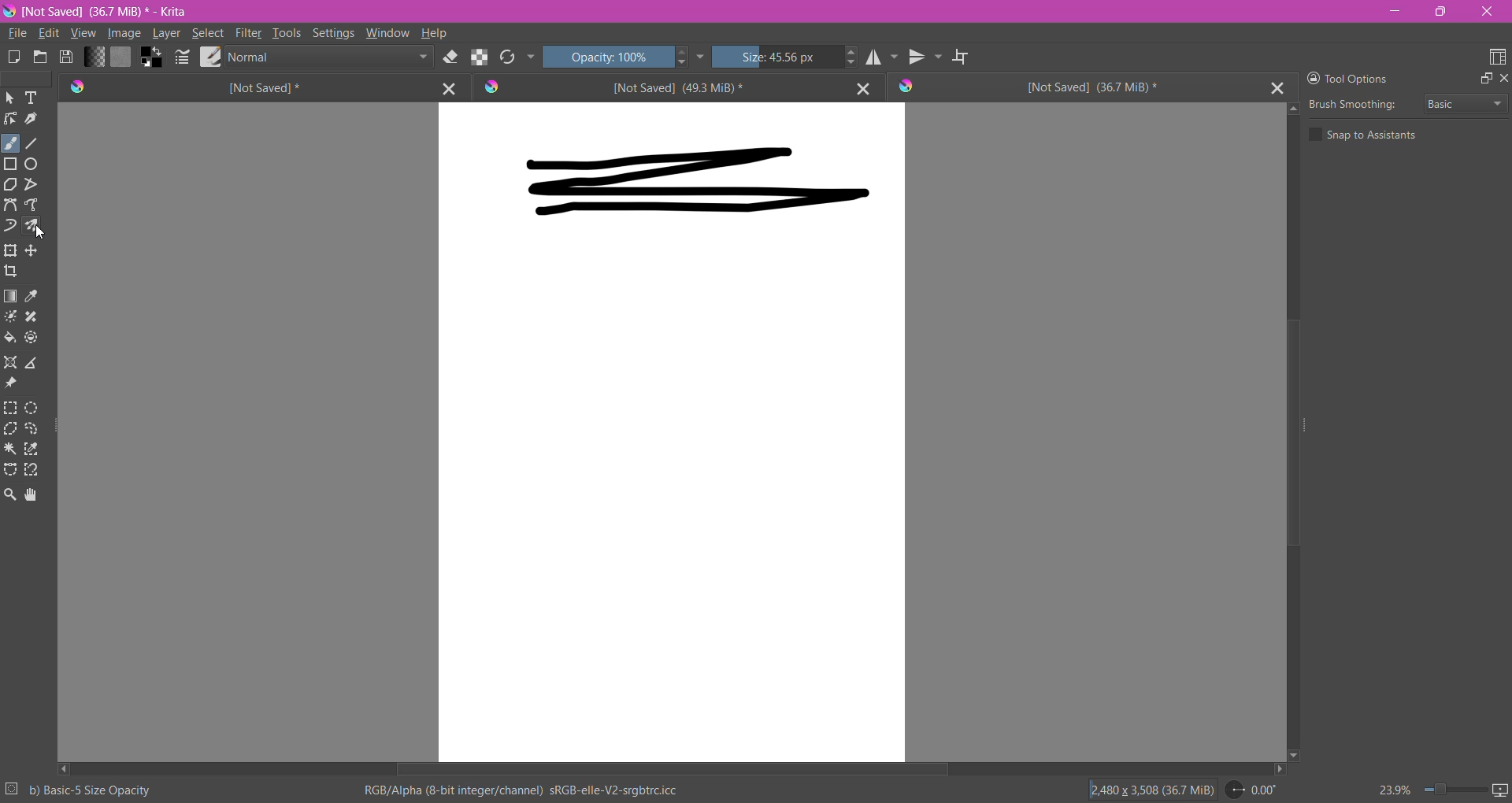 This screenshot has height=803, width=1512. I want to click on , so click(43, 233).